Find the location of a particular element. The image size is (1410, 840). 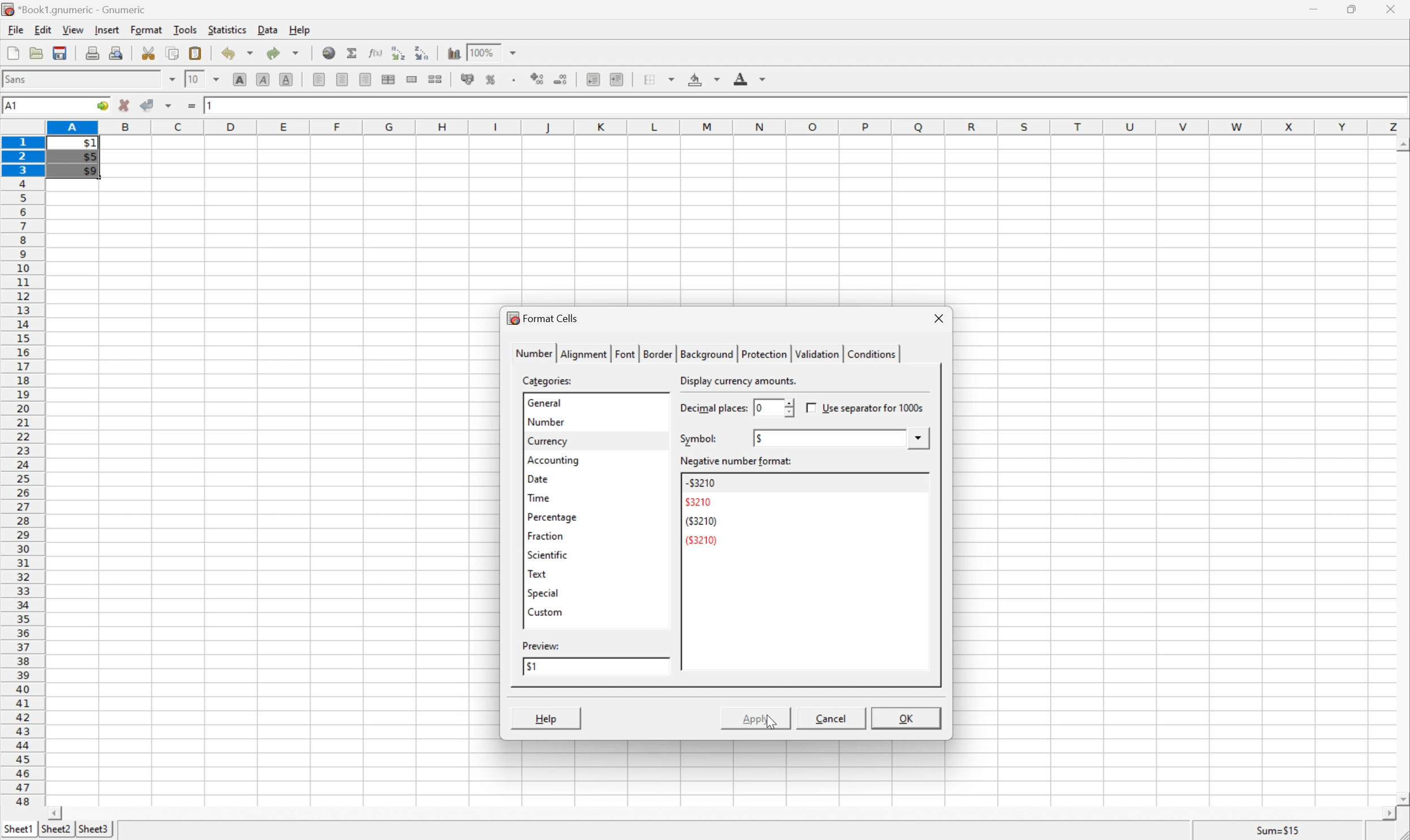

insert is located at coordinates (106, 28).